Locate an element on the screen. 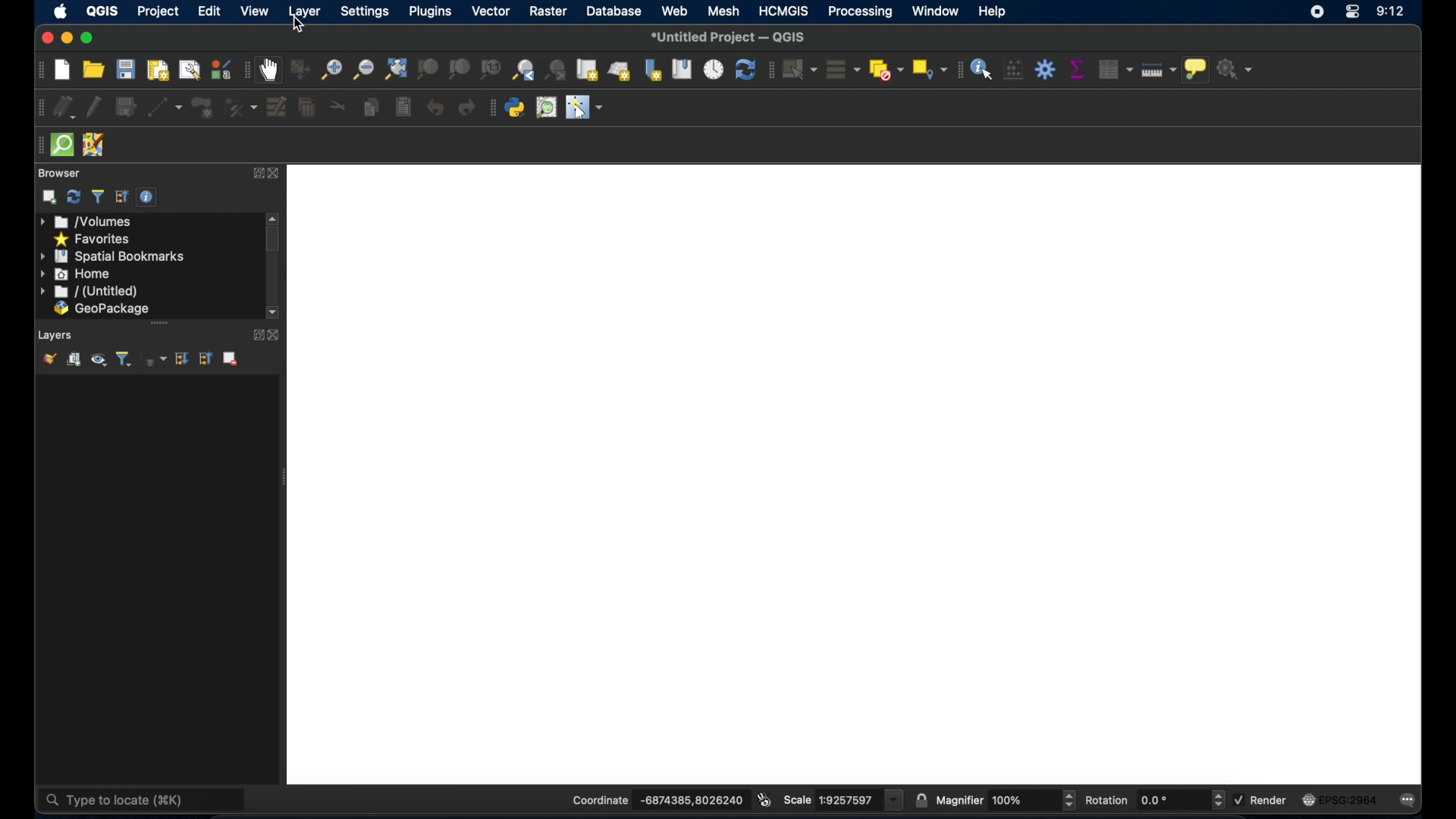 Image resolution: width=1456 pixels, height=819 pixels. cursor is located at coordinates (300, 24).